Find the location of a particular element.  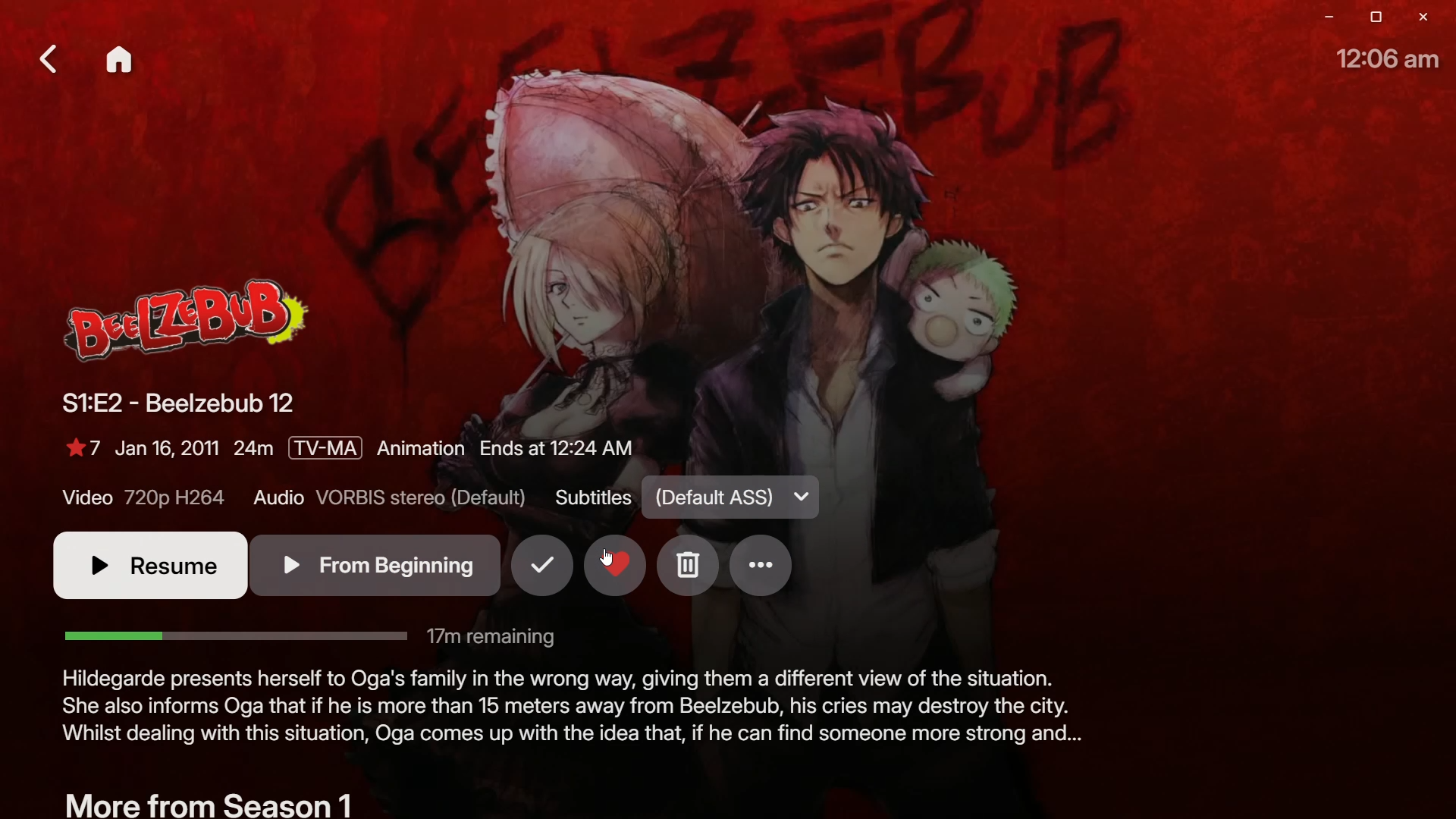

Close is located at coordinates (1426, 19).